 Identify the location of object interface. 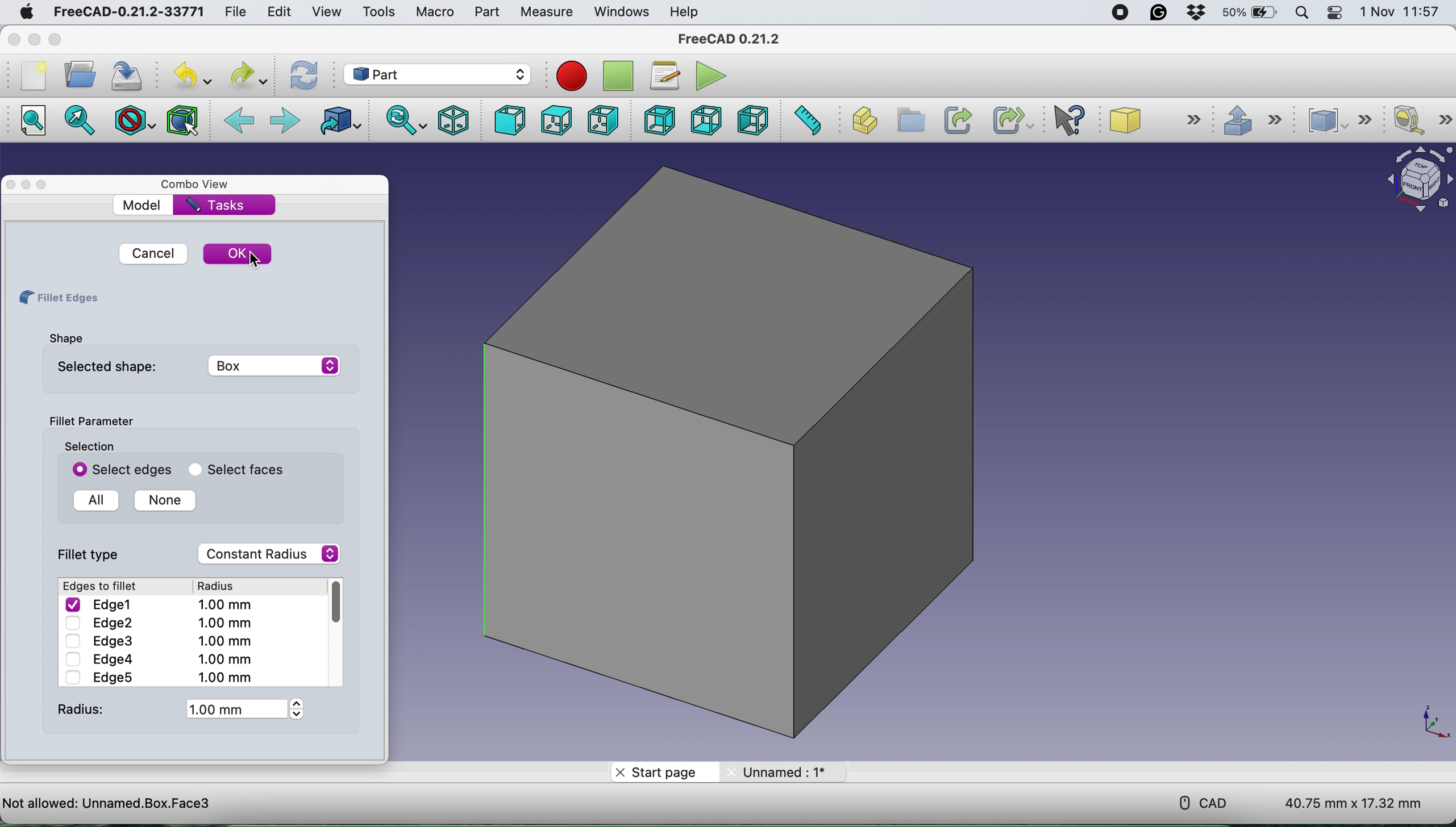
(1414, 182).